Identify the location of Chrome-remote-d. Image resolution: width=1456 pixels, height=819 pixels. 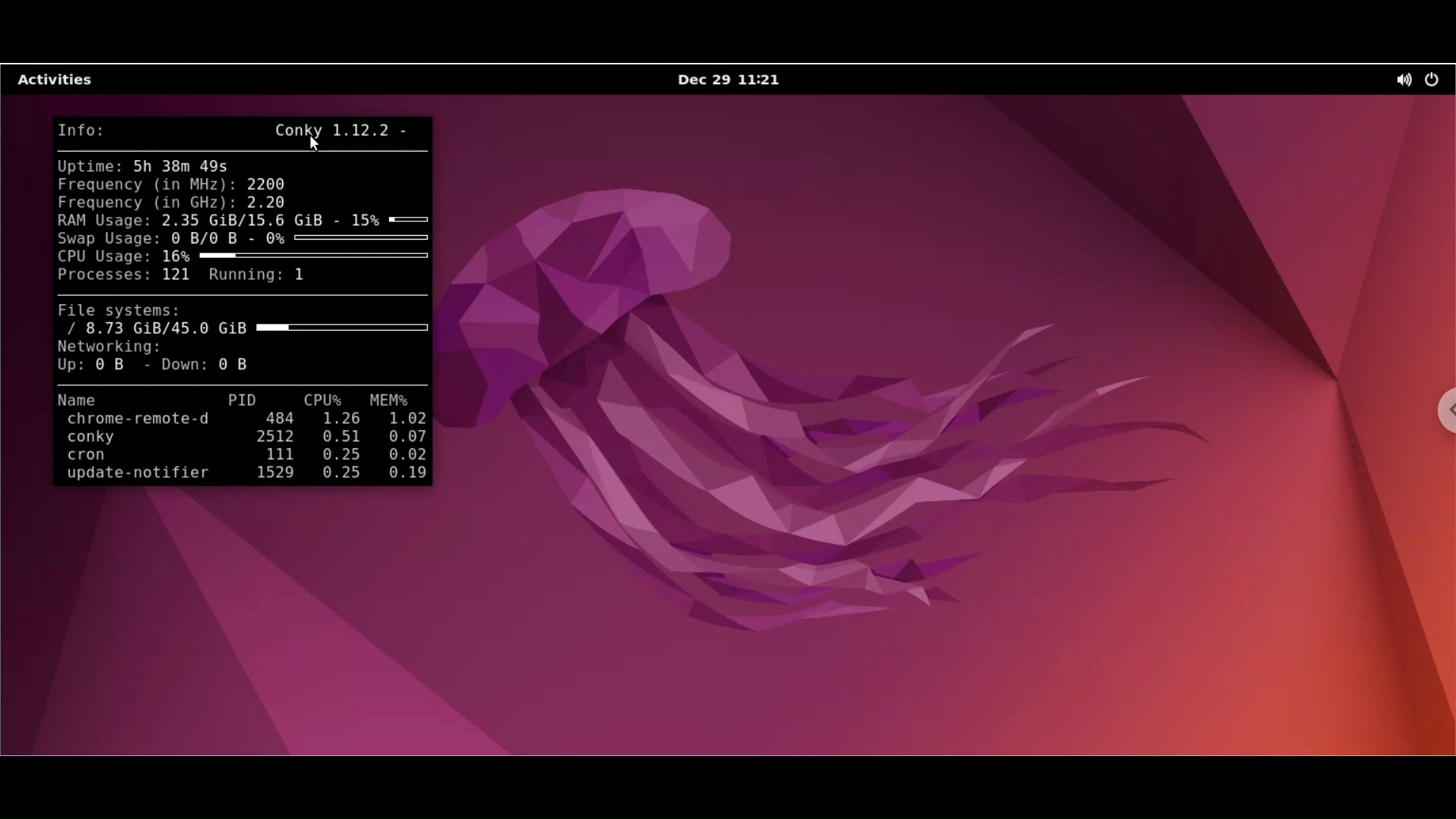
(134, 420).